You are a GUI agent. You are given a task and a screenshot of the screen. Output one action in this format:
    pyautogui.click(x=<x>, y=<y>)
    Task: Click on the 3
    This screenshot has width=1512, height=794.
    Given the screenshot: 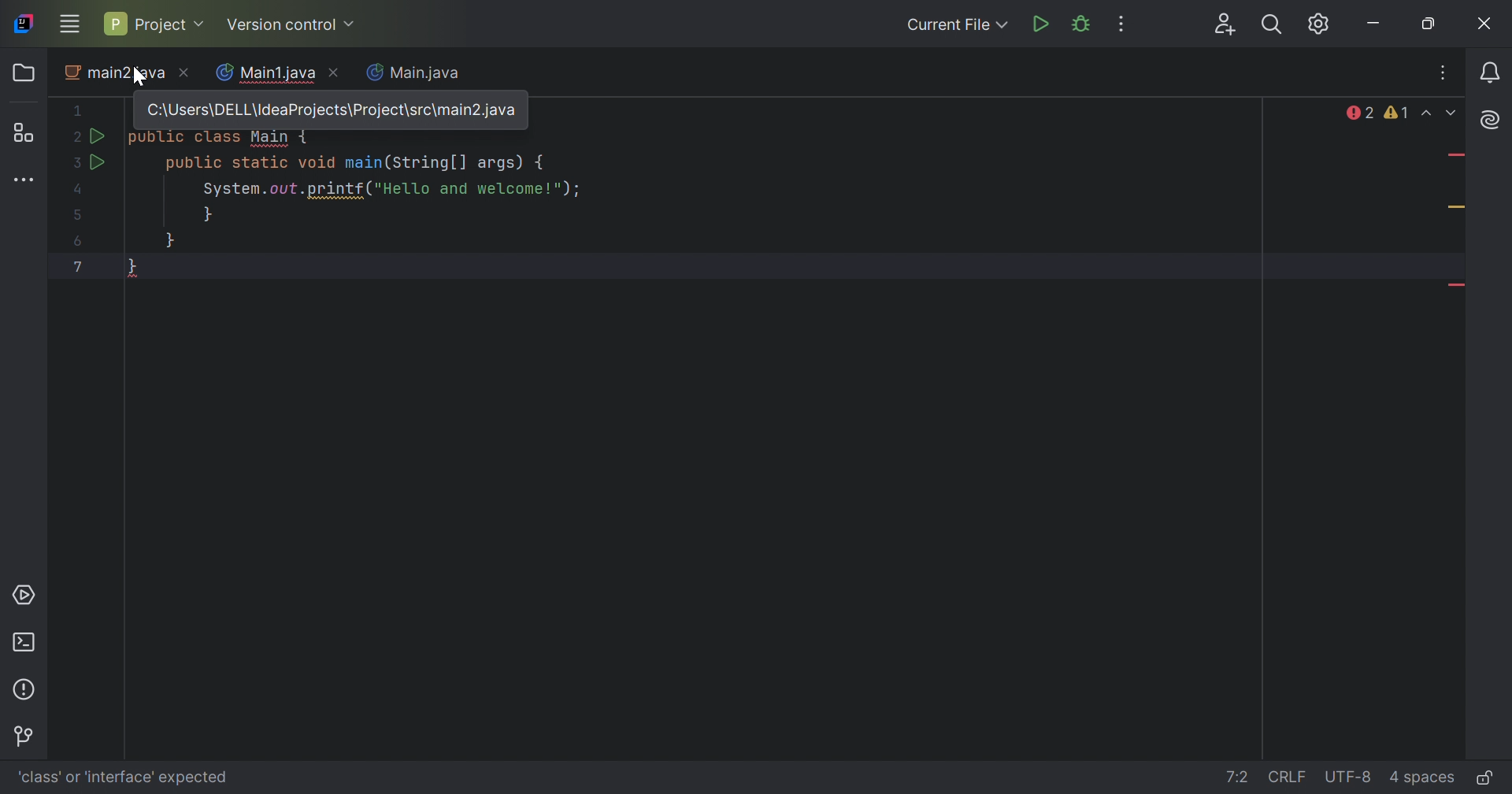 What is the action you would take?
    pyautogui.click(x=75, y=163)
    